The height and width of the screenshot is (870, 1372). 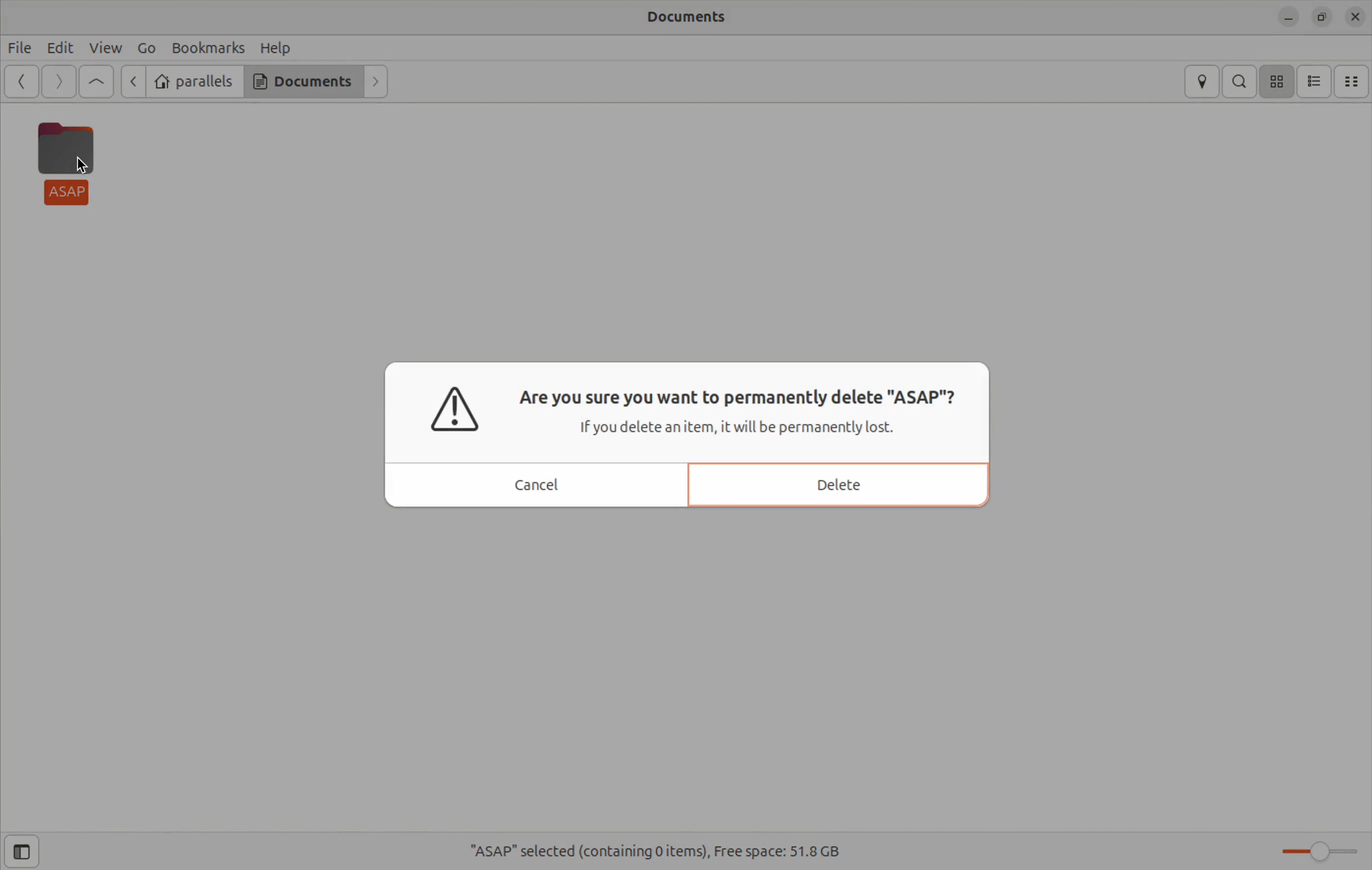 I want to click on search, so click(x=1243, y=80).